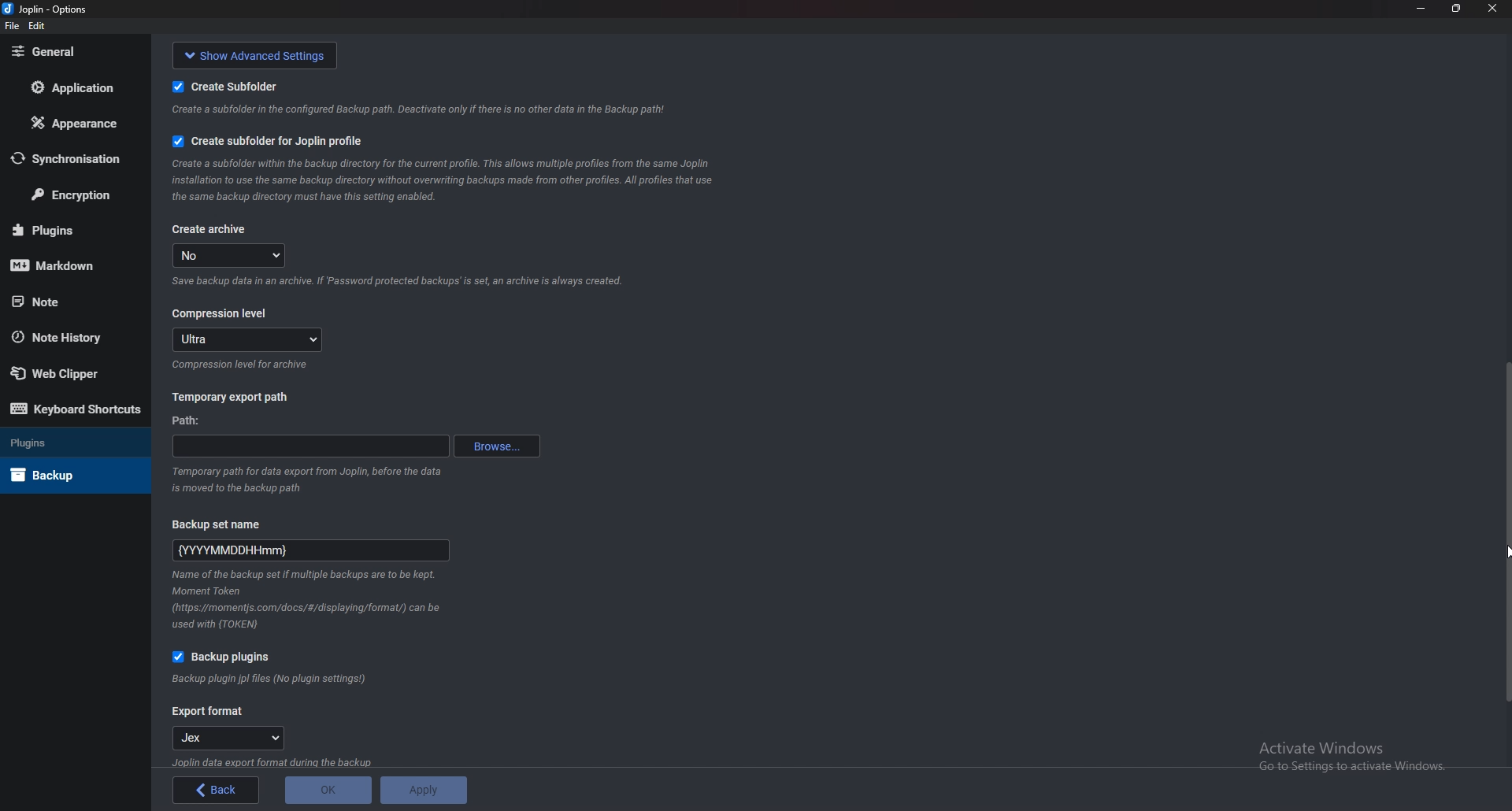 This screenshot has width=1512, height=811. I want to click on browse, so click(498, 445).